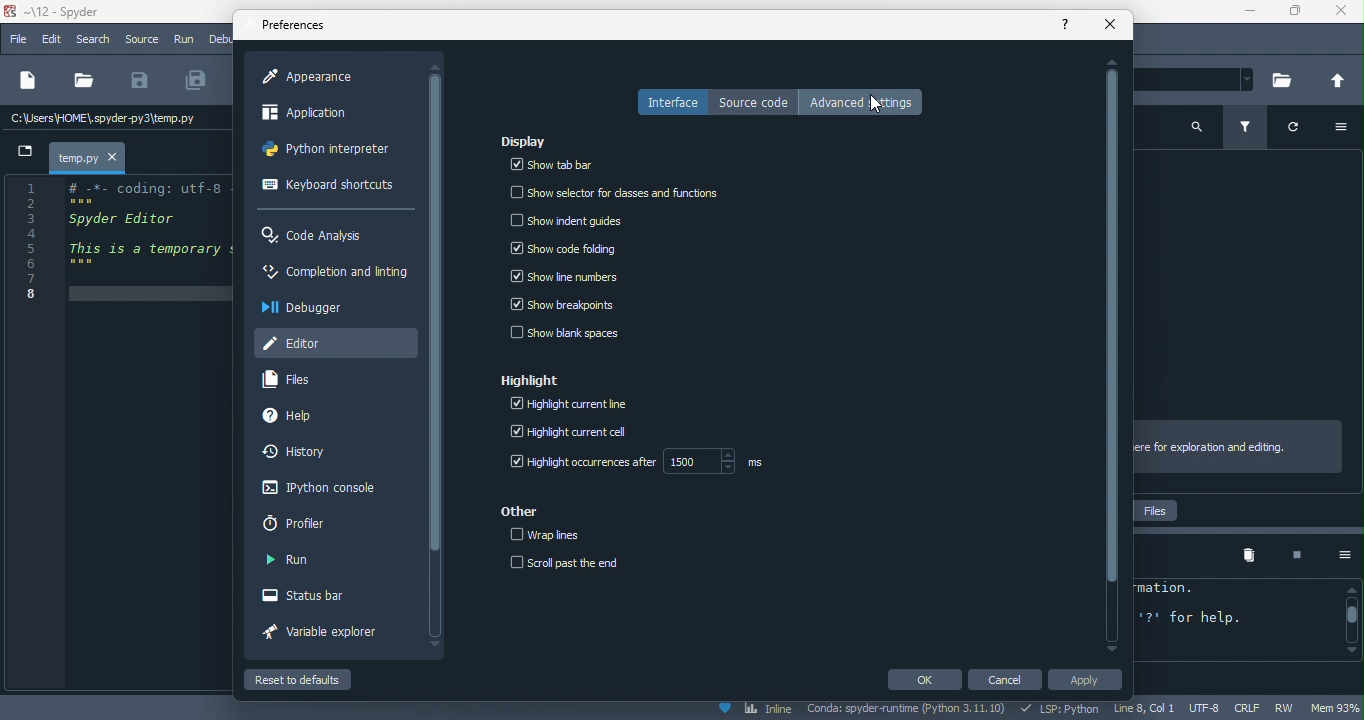  I want to click on save all, so click(197, 81).